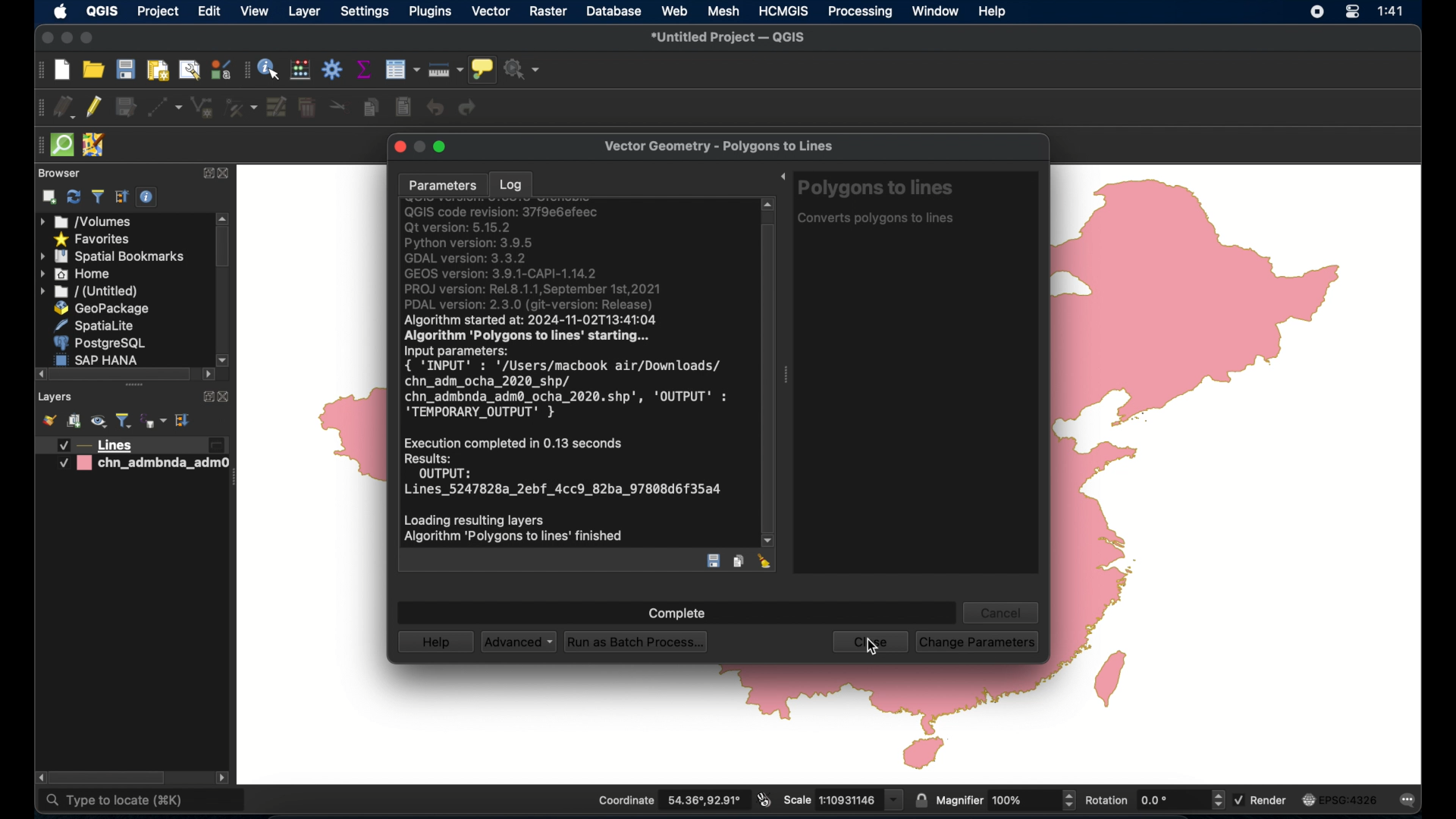 Image resolution: width=1456 pixels, height=819 pixels. I want to click on expand, so click(206, 397).